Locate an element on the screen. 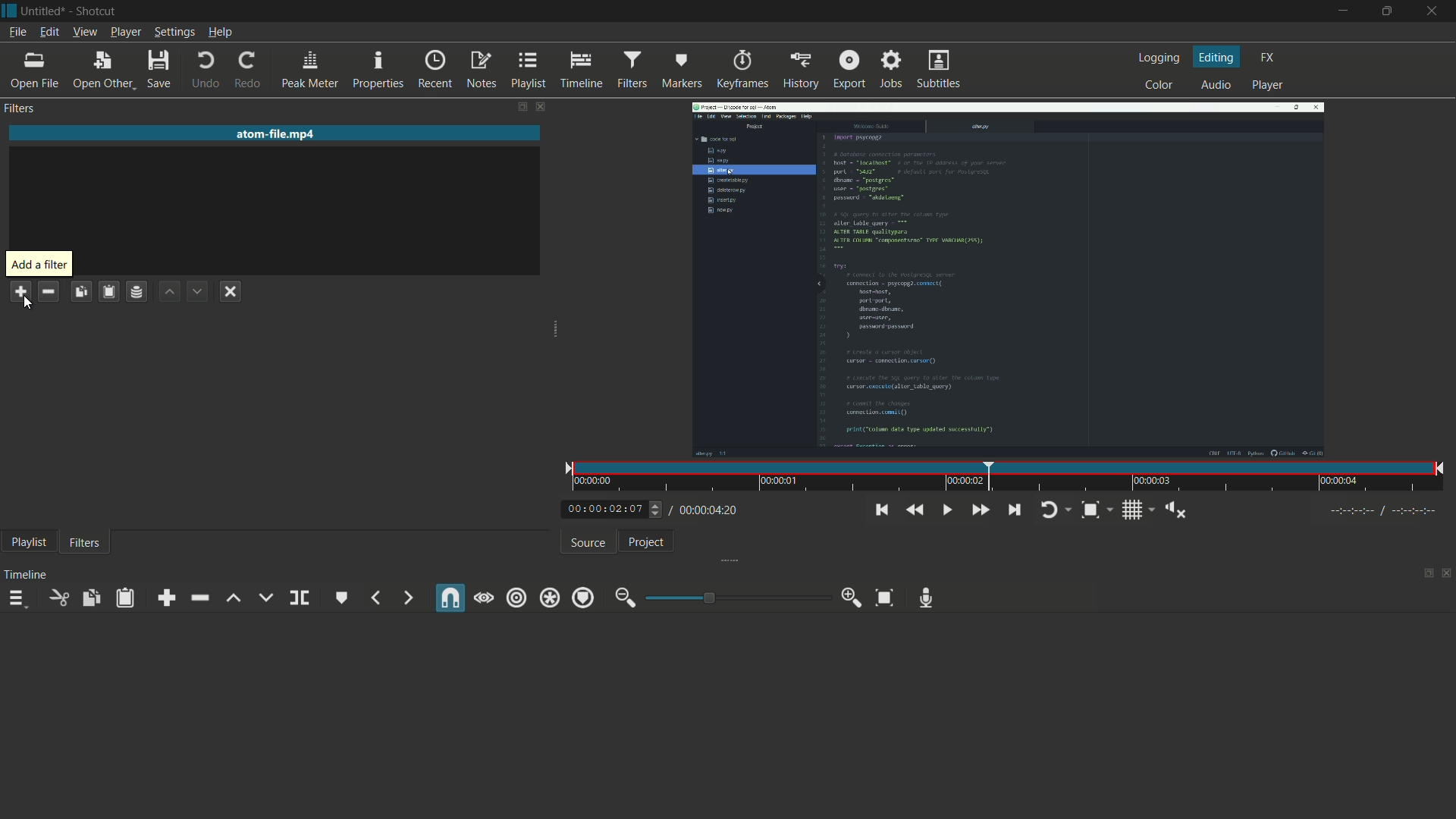  project name is located at coordinates (45, 11).